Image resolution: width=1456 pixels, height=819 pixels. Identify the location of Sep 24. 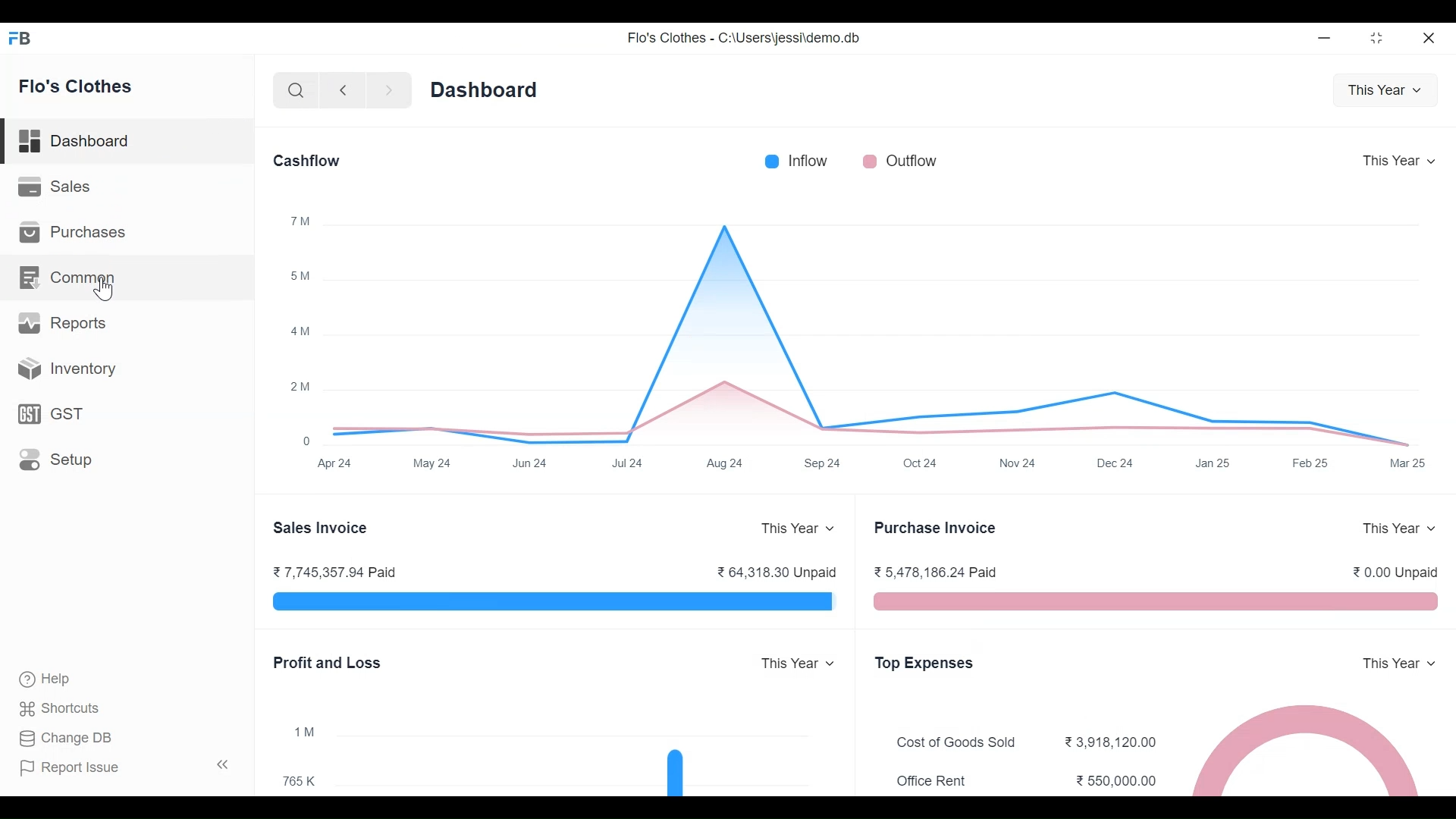
(824, 463).